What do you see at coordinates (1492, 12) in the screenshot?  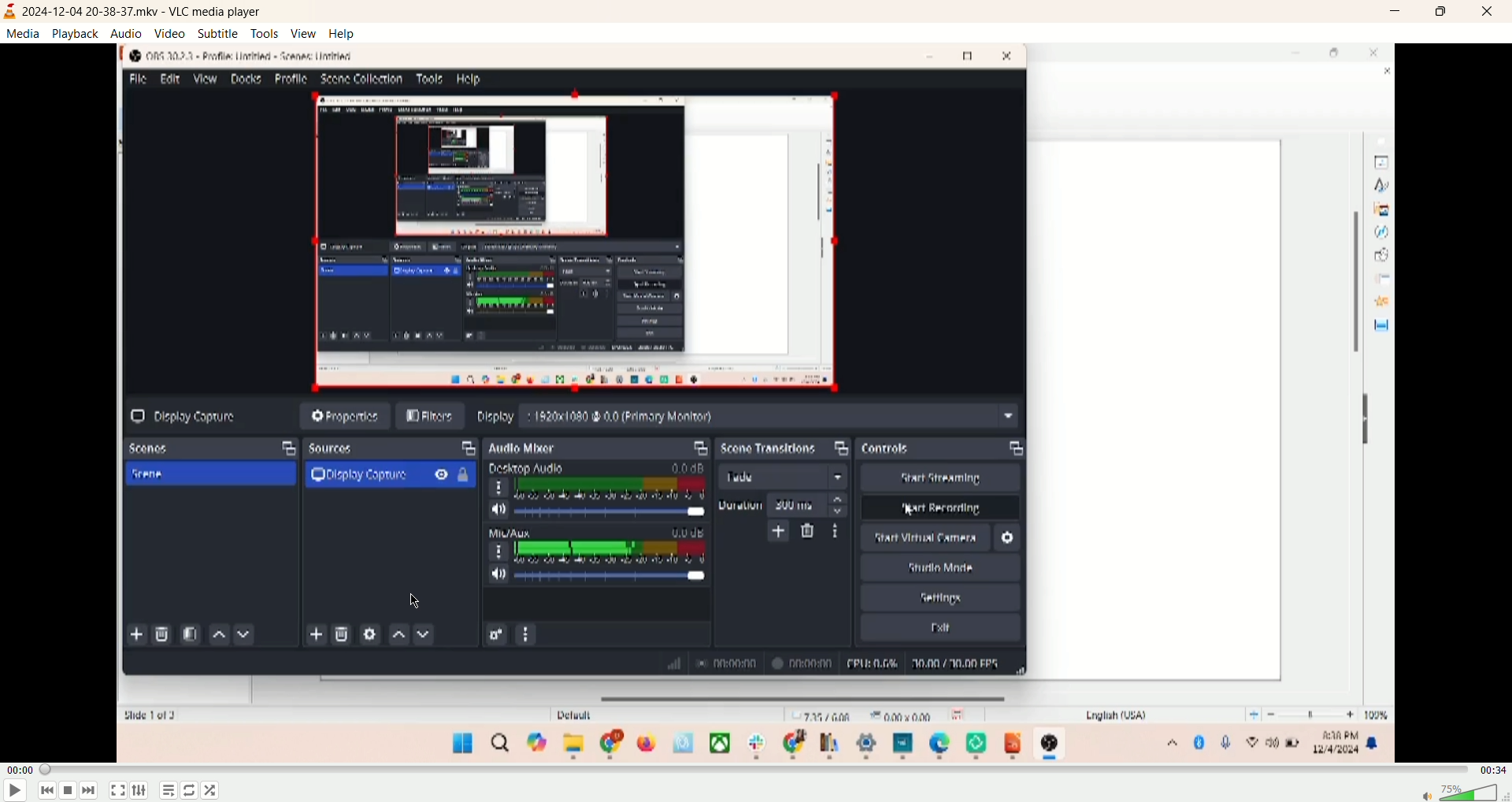 I see `close` at bounding box center [1492, 12].